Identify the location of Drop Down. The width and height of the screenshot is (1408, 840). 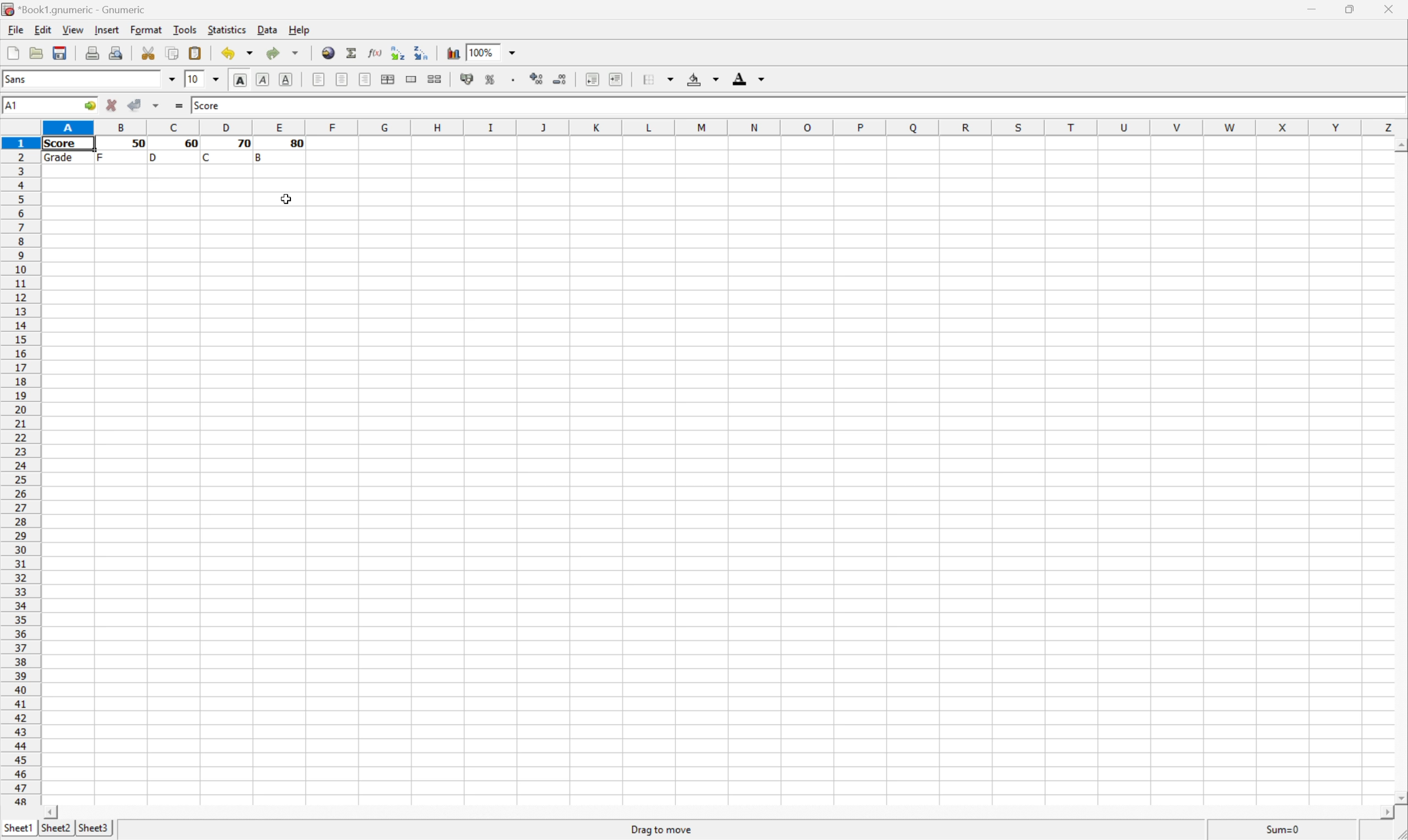
(211, 78).